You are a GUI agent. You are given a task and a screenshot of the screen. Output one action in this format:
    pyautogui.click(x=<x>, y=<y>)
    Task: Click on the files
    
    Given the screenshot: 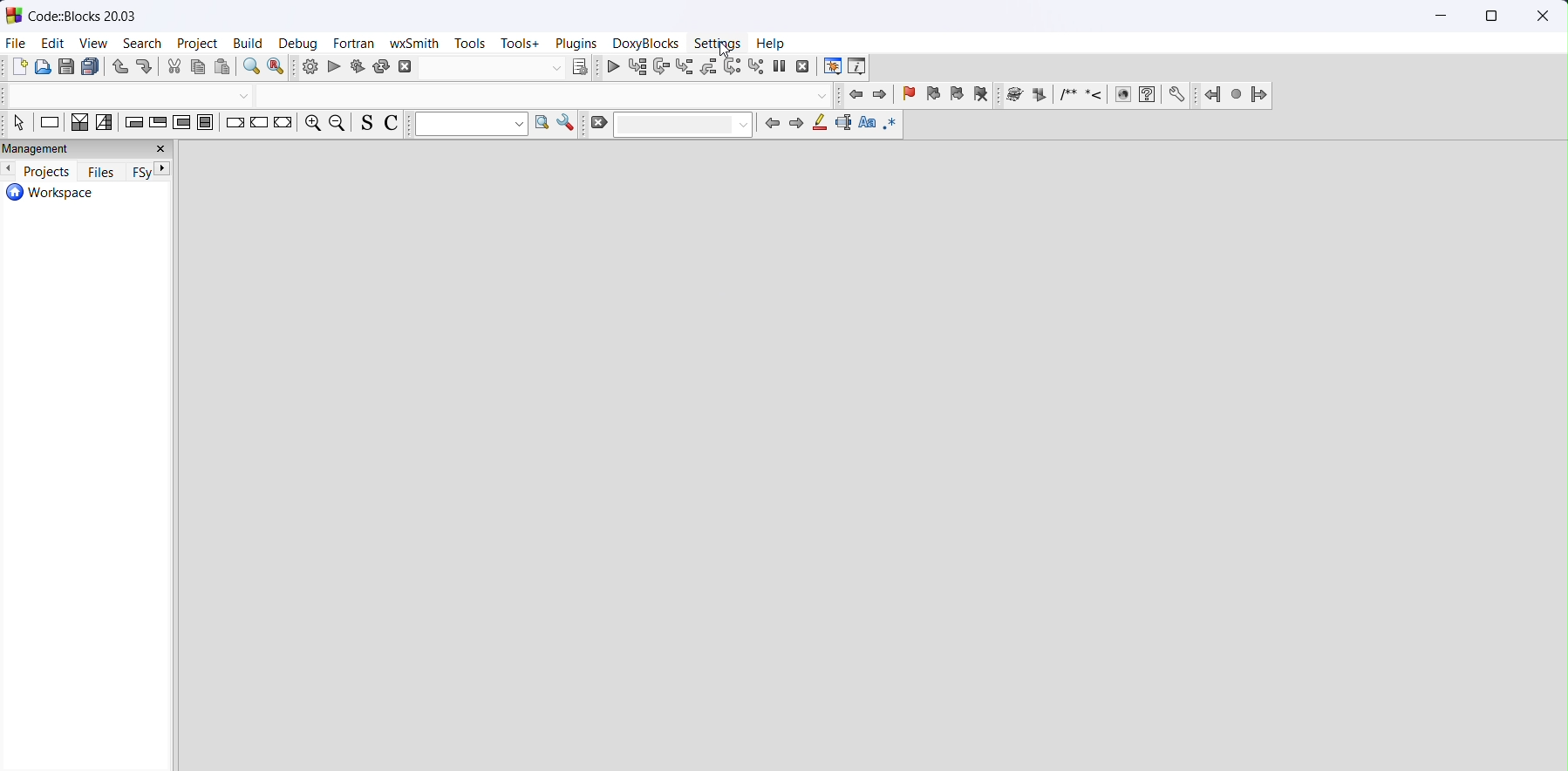 What is the action you would take?
    pyautogui.click(x=102, y=173)
    